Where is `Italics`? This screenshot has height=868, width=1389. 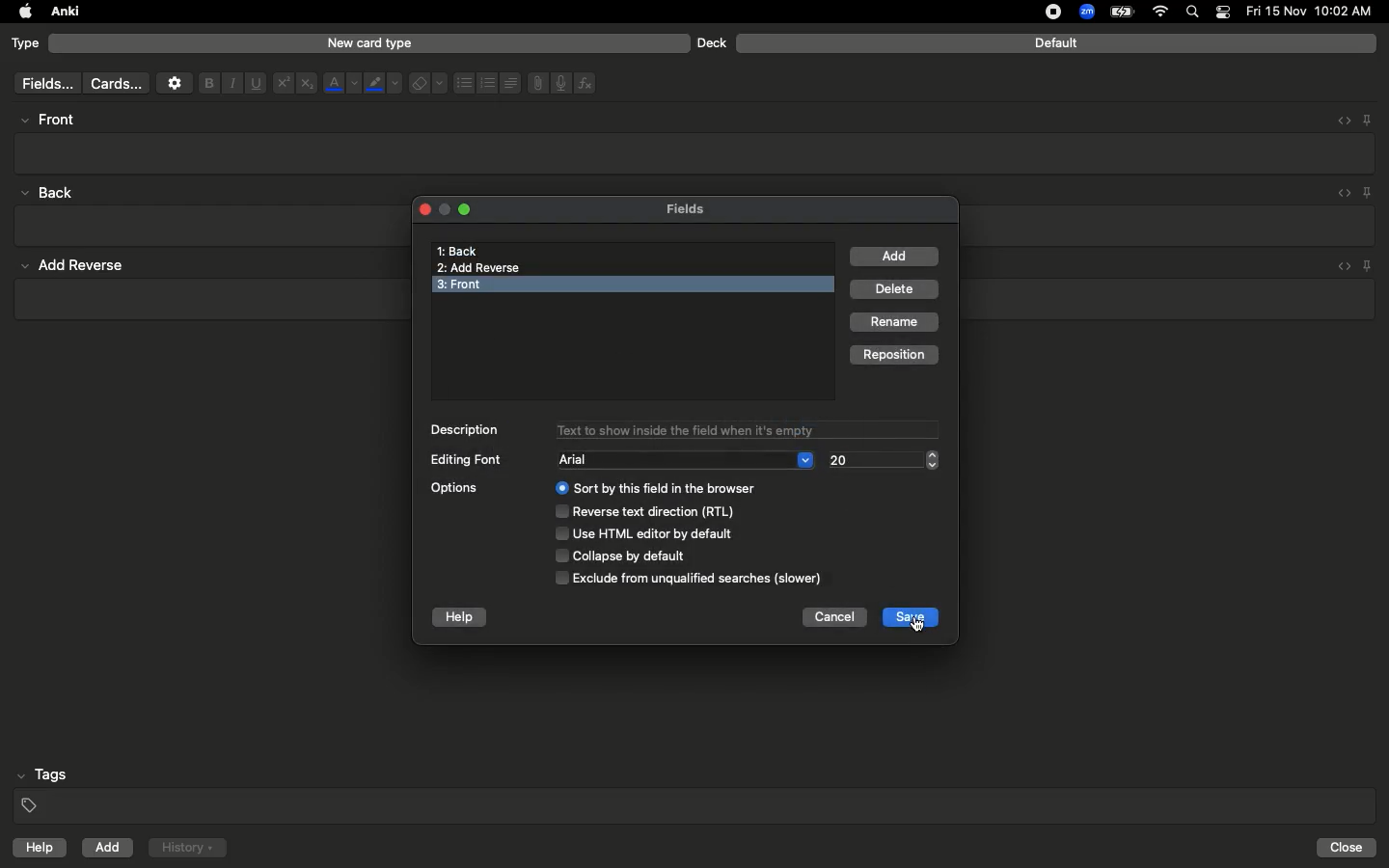
Italics is located at coordinates (230, 84).